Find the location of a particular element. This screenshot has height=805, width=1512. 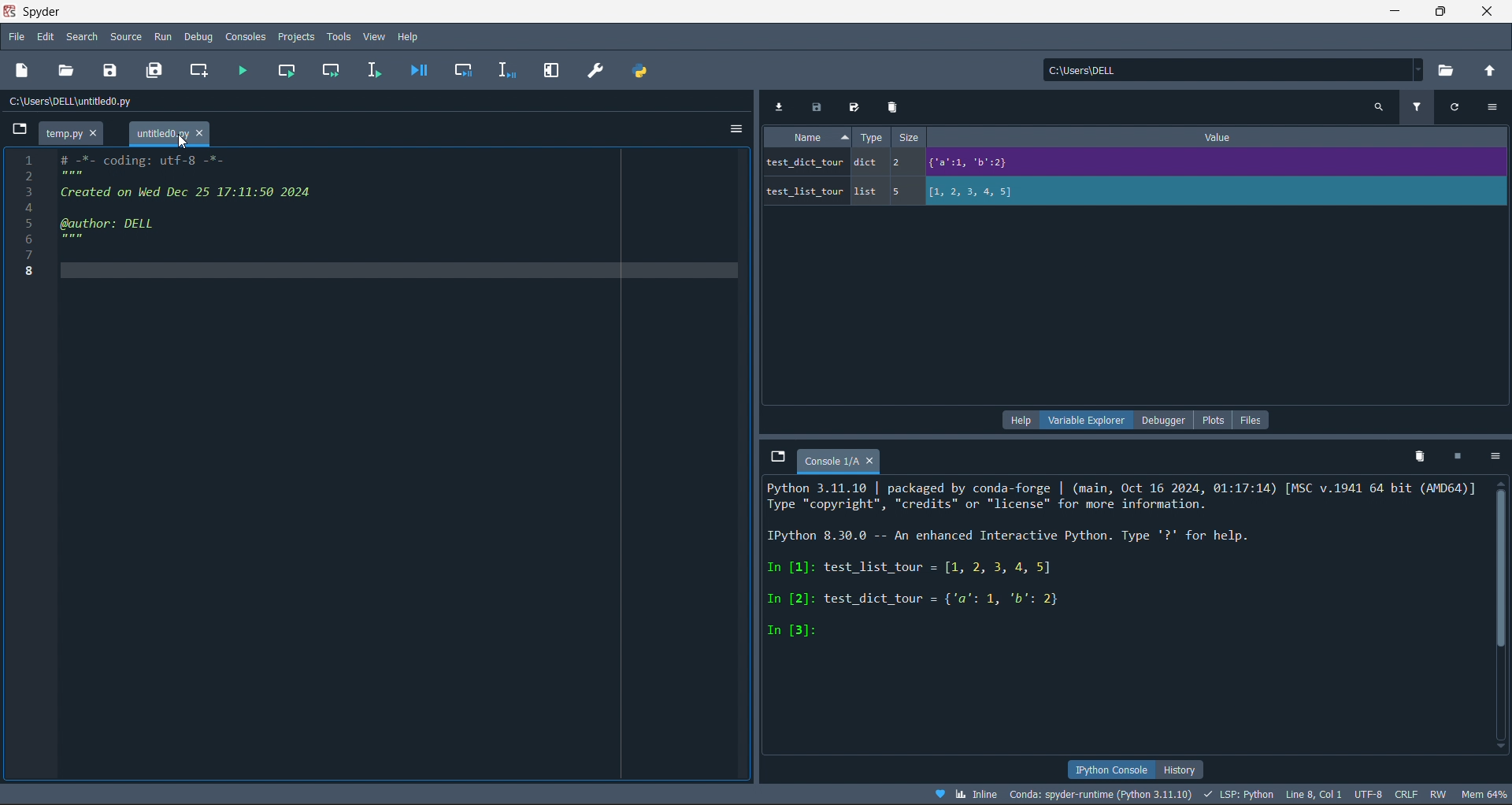

debugger pane is located at coordinates (1169, 421).